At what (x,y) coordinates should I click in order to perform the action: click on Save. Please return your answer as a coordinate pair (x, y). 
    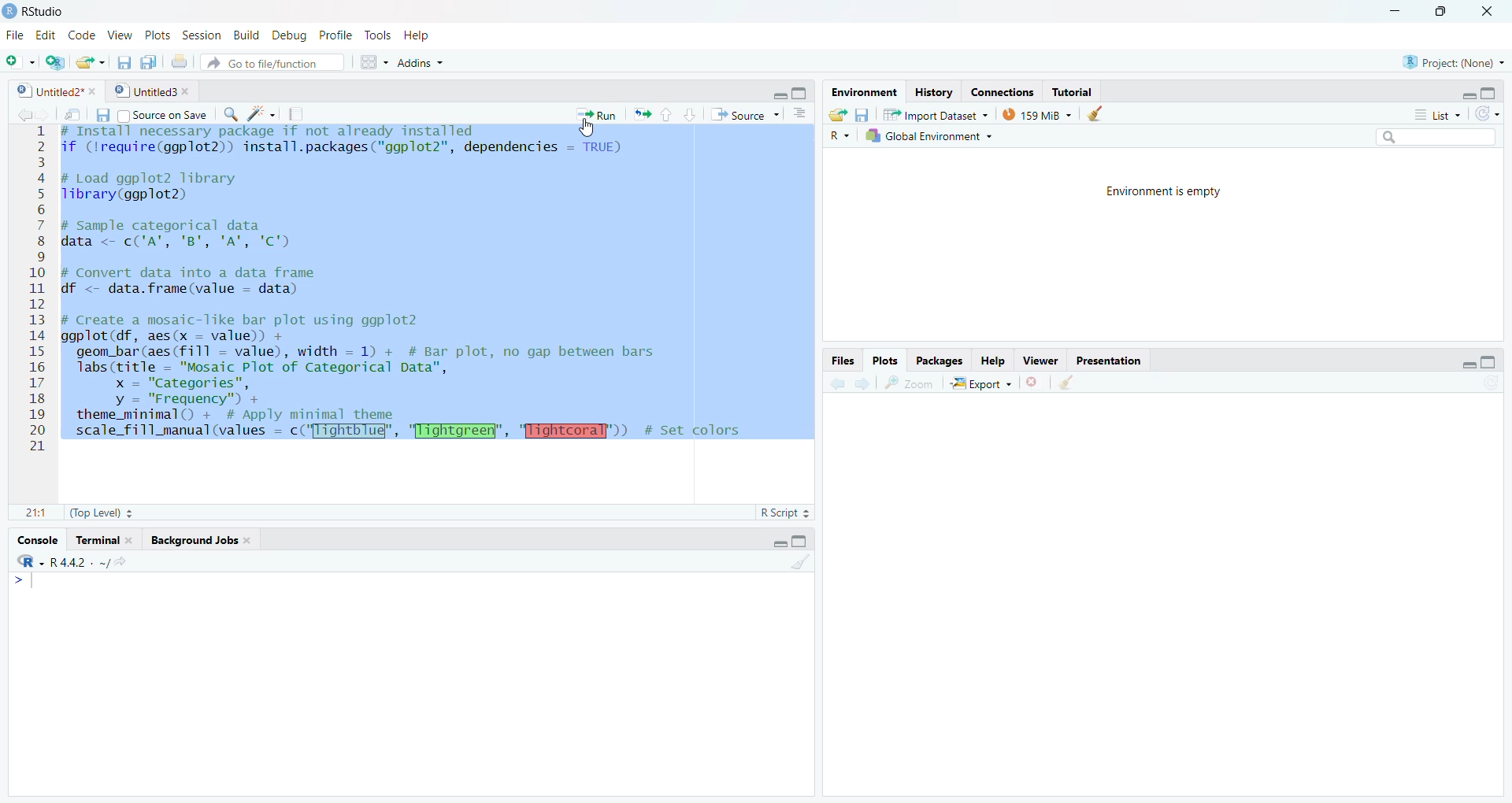
    Looking at the image, I should click on (863, 115).